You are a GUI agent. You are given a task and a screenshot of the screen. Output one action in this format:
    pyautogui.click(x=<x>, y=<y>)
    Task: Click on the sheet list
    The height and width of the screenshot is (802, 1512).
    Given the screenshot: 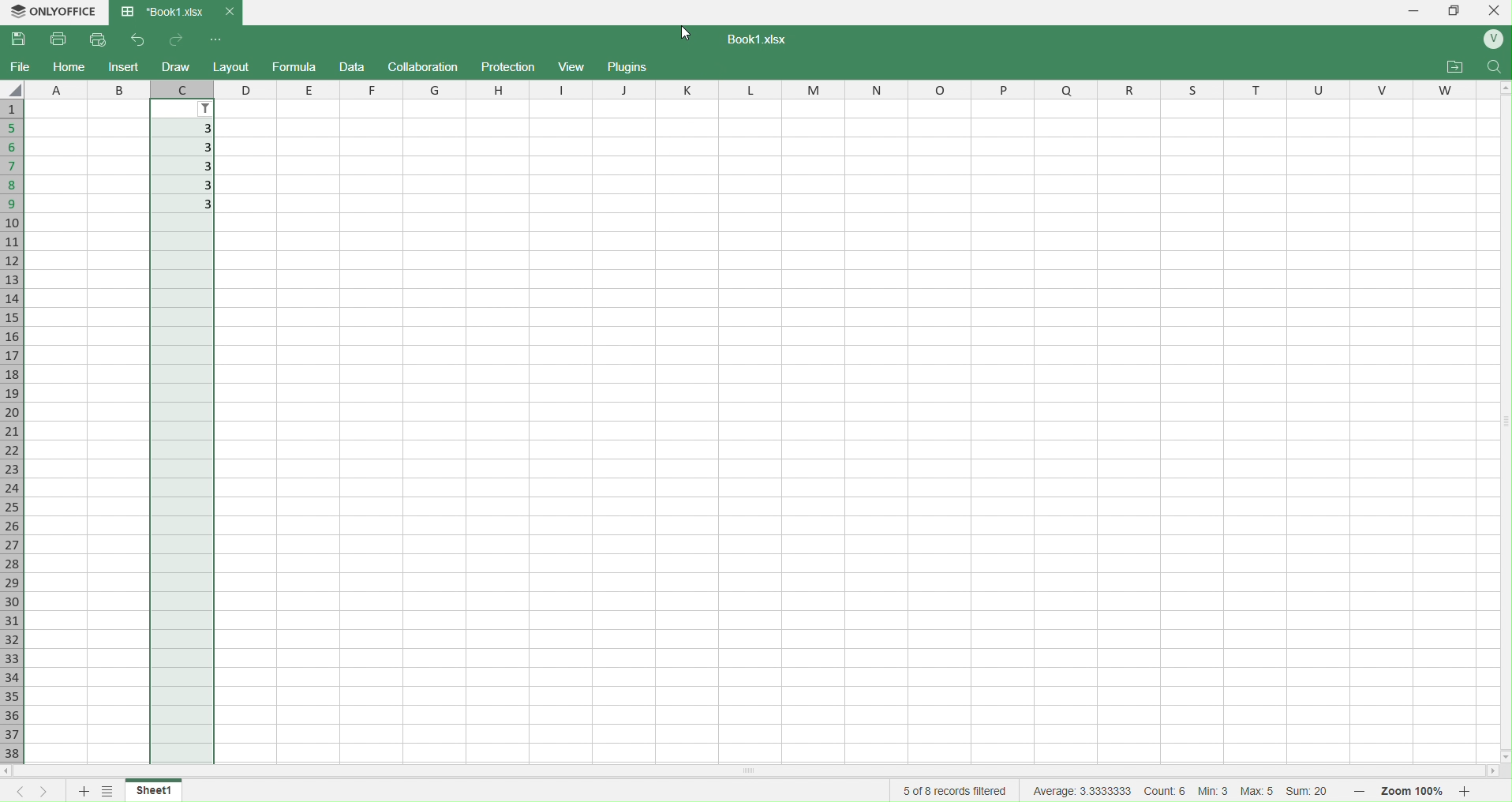 What is the action you would take?
    pyautogui.click(x=110, y=789)
    